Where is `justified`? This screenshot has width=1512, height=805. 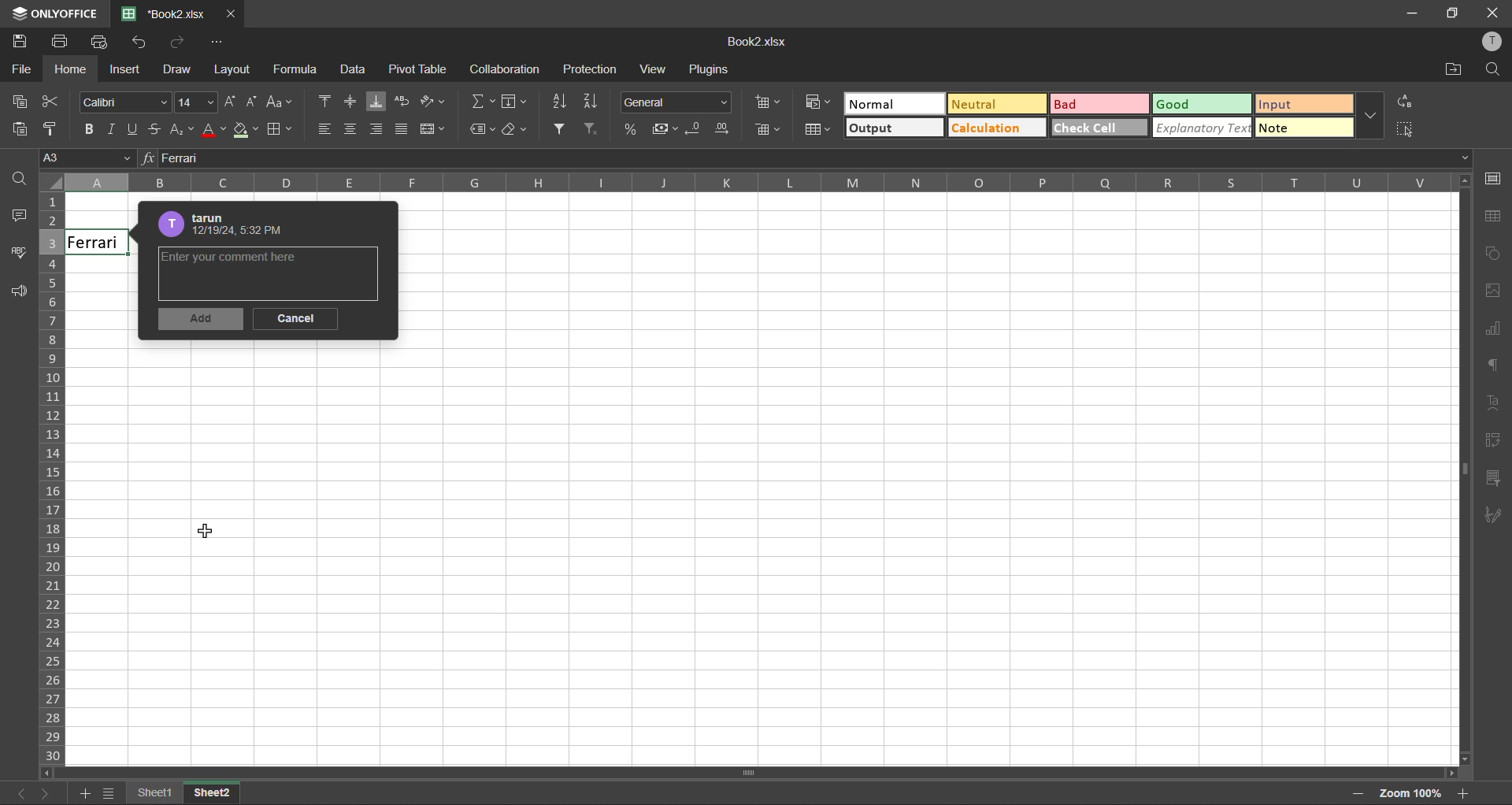
justified is located at coordinates (404, 129).